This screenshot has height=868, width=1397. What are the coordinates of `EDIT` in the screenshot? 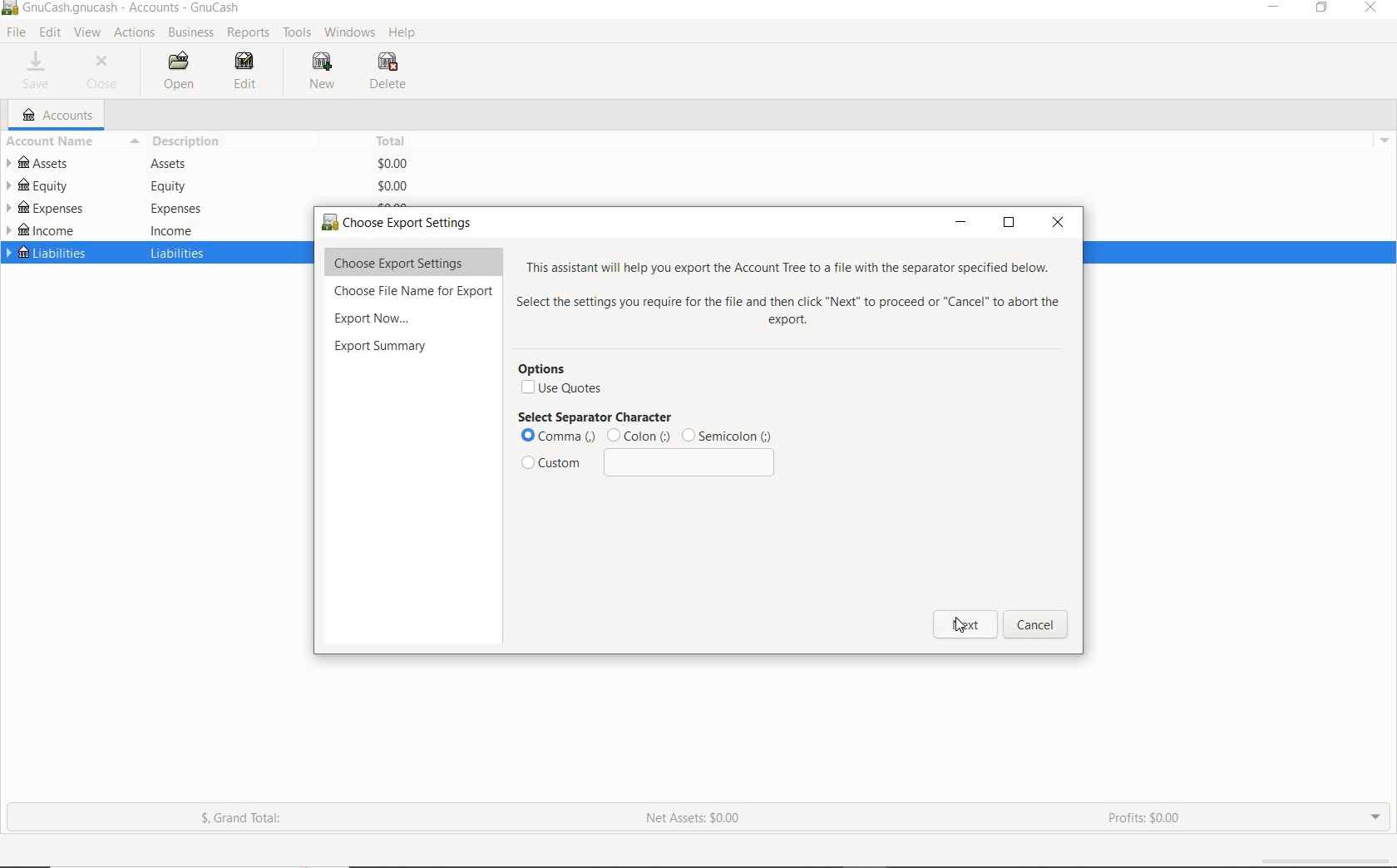 It's located at (51, 33).